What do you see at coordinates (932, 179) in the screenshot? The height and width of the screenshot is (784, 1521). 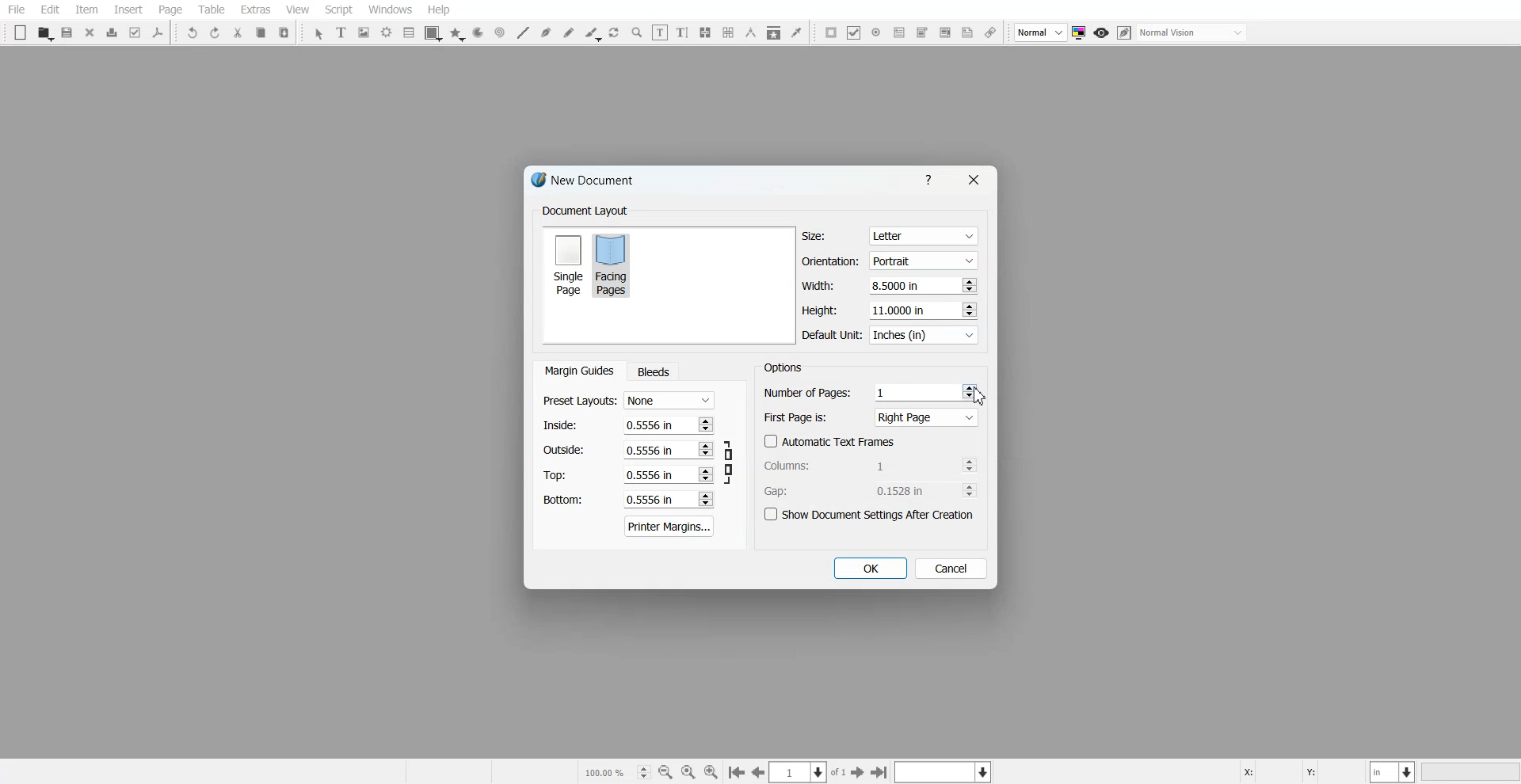 I see `Help` at bounding box center [932, 179].